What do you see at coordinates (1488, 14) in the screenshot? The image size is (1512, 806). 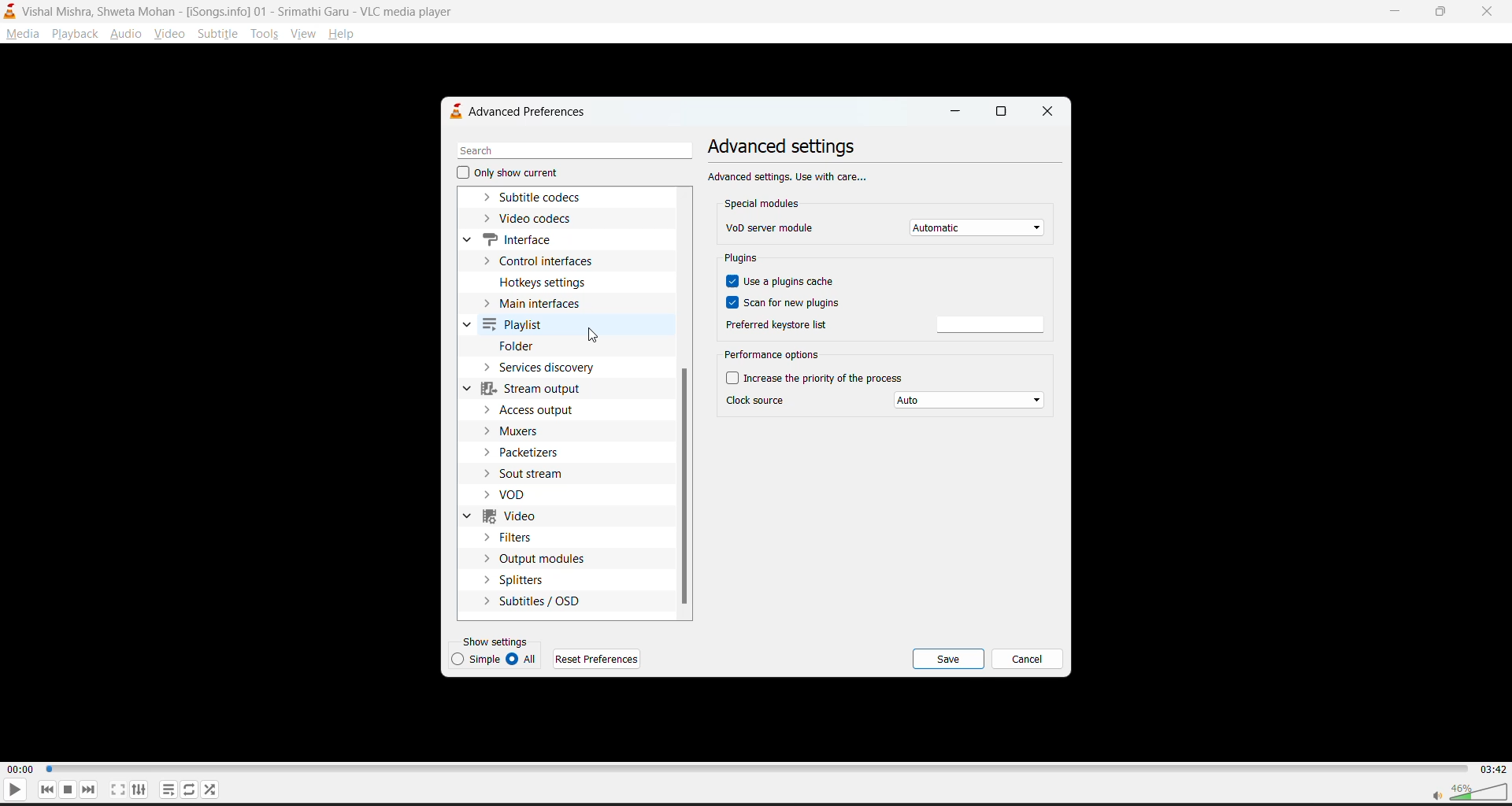 I see `close` at bounding box center [1488, 14].